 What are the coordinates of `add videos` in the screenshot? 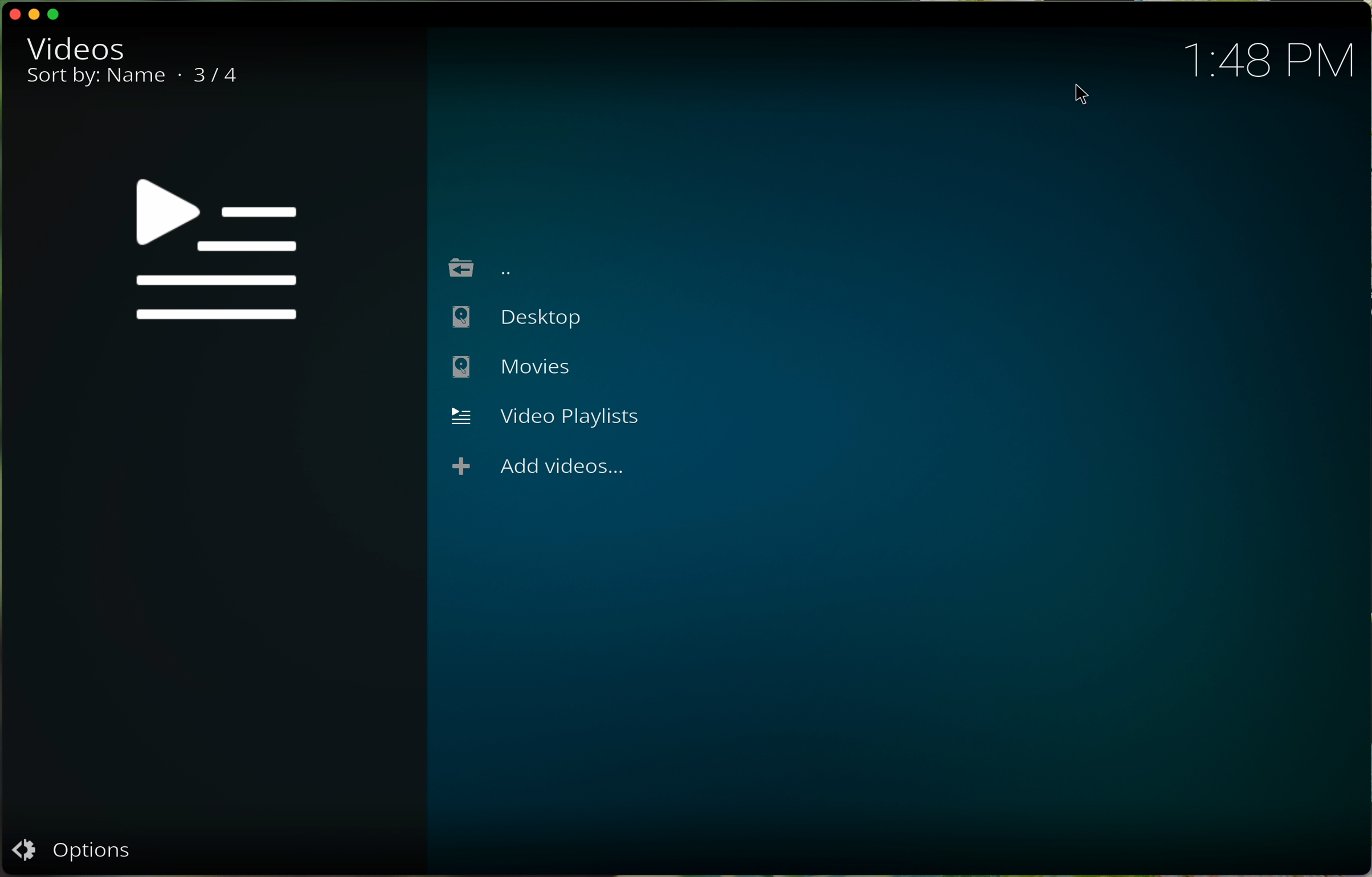 It's located at (551, 470).